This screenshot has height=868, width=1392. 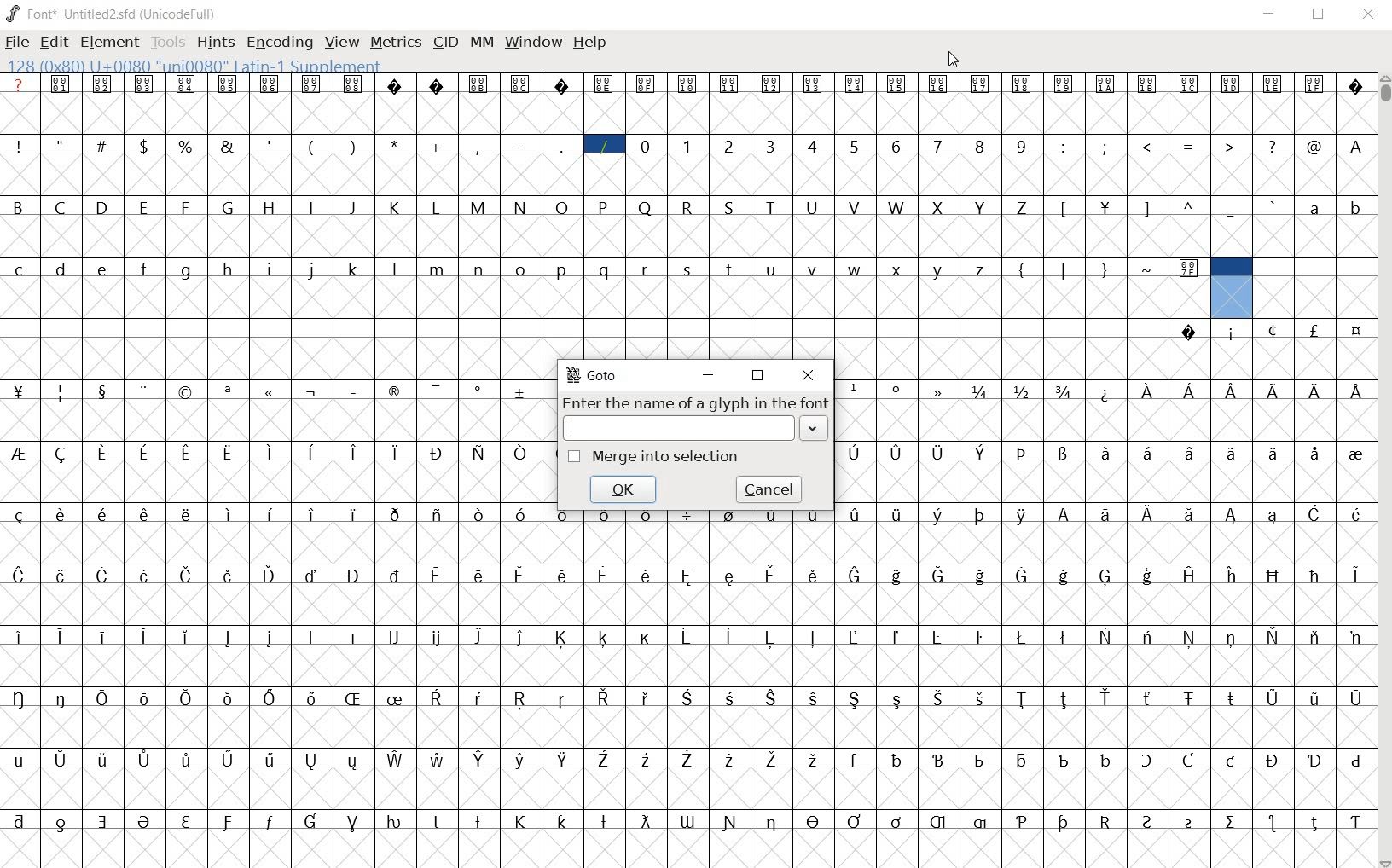 What do you see at coordinates (104, 145) in the screenshot?
I see `#` at bounding box center [104, 145].